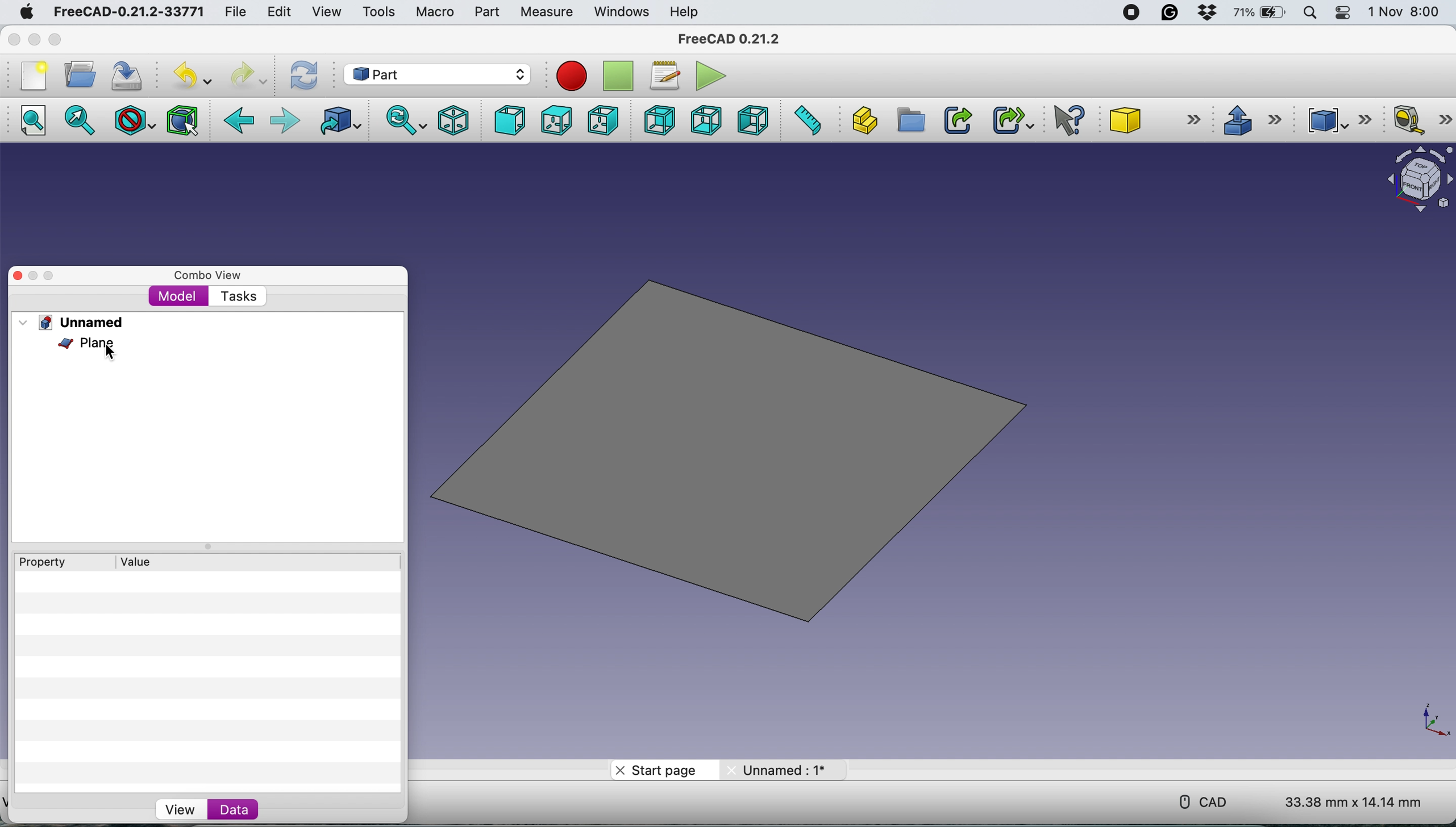 The width and height of the screenshot is (1456, 827). I want to click on minimise, so click(32, 276).